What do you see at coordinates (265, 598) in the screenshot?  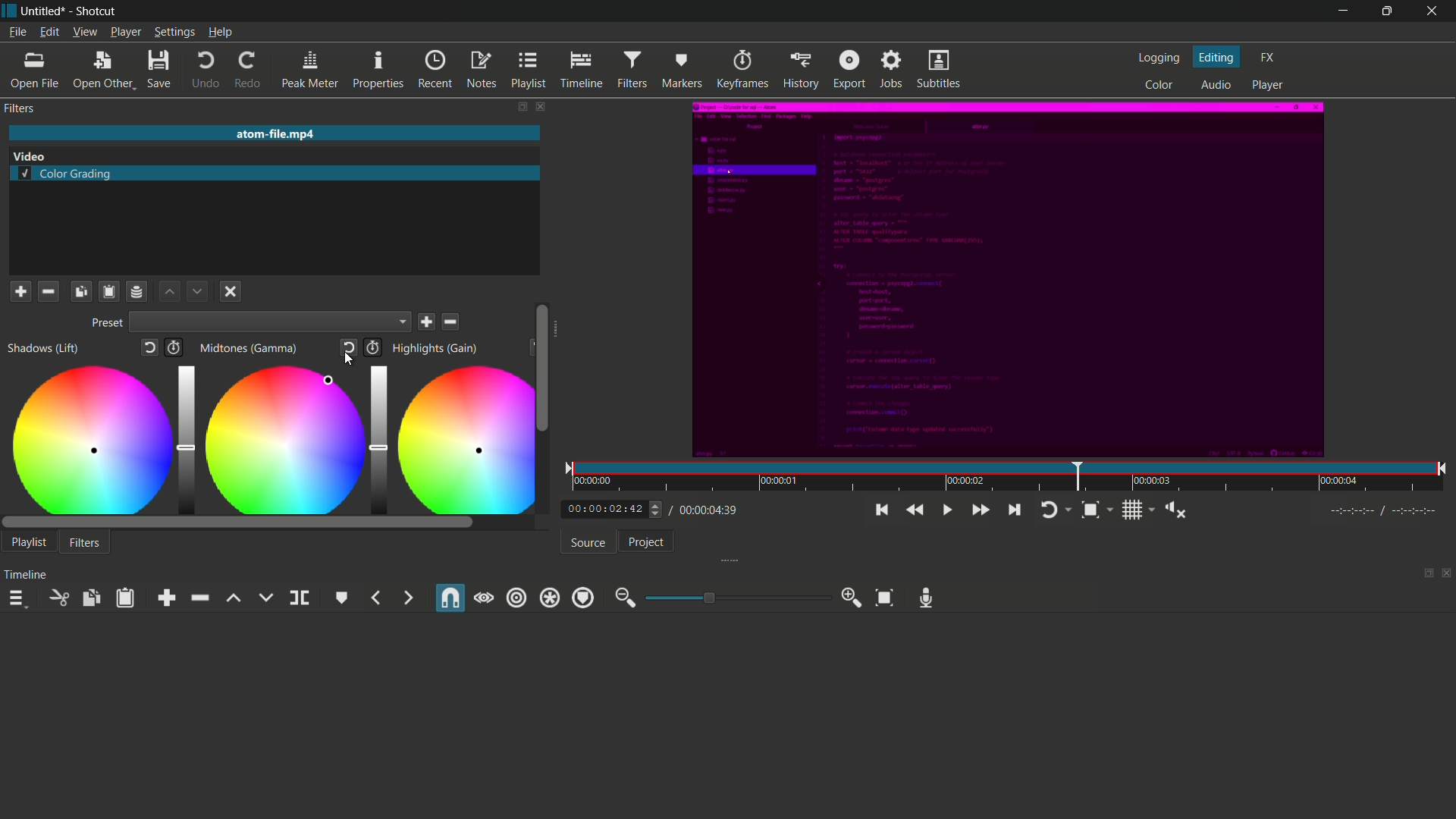 I see `overwrite` at bounding box center [265, 598].